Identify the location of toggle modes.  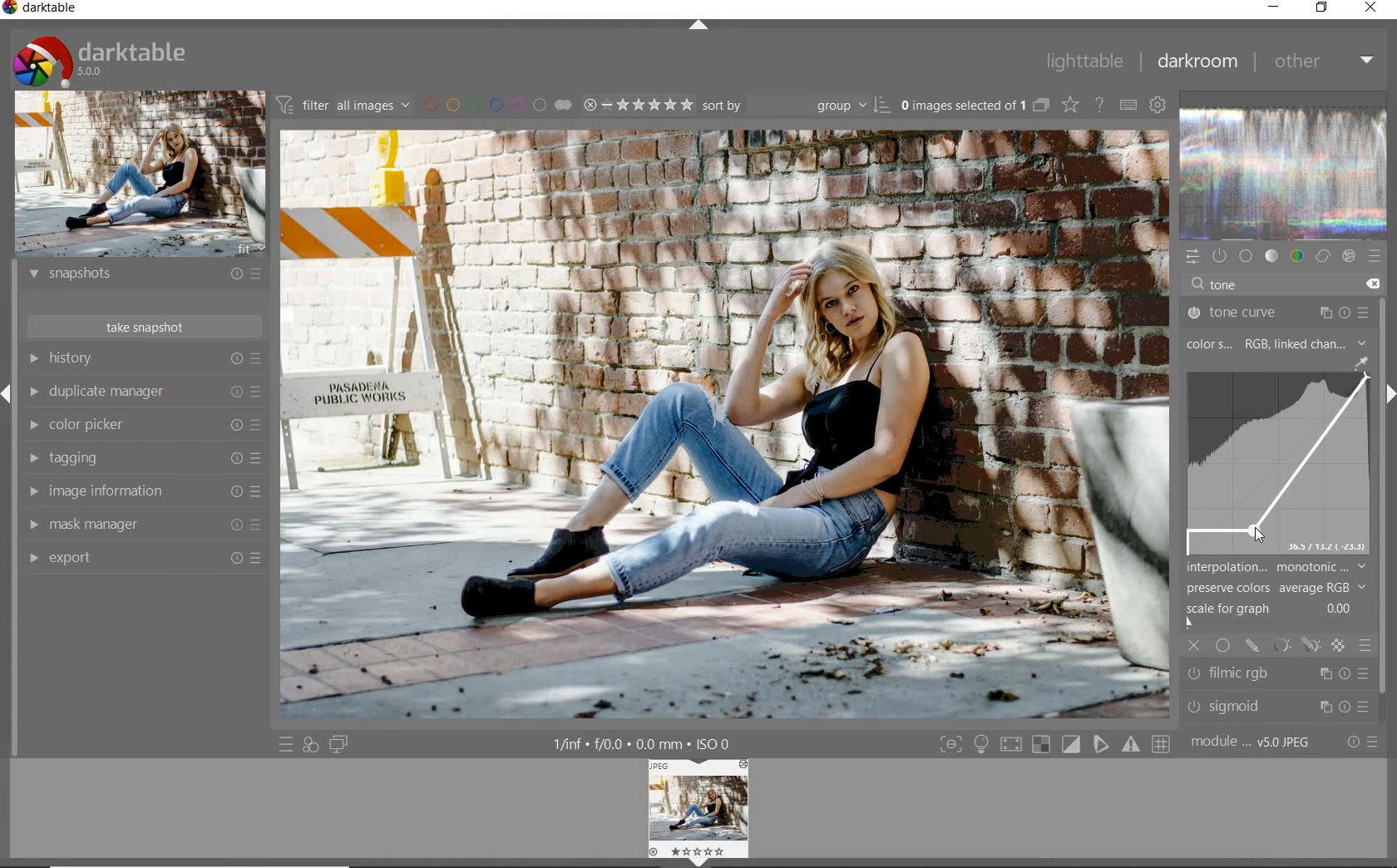
(1052, 745).